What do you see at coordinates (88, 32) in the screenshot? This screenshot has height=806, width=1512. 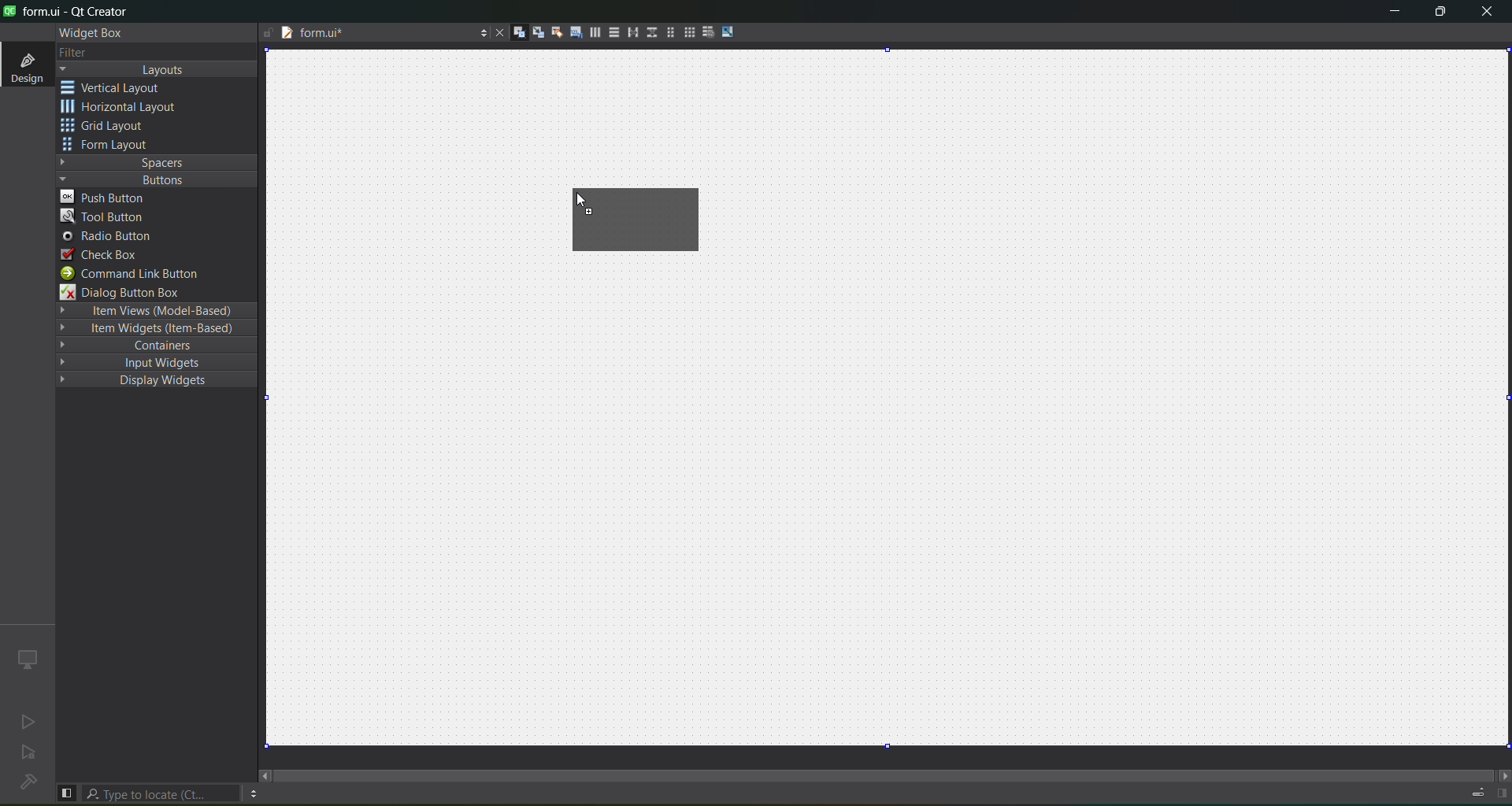 I see `widget box` at bounding box center [88, 32].